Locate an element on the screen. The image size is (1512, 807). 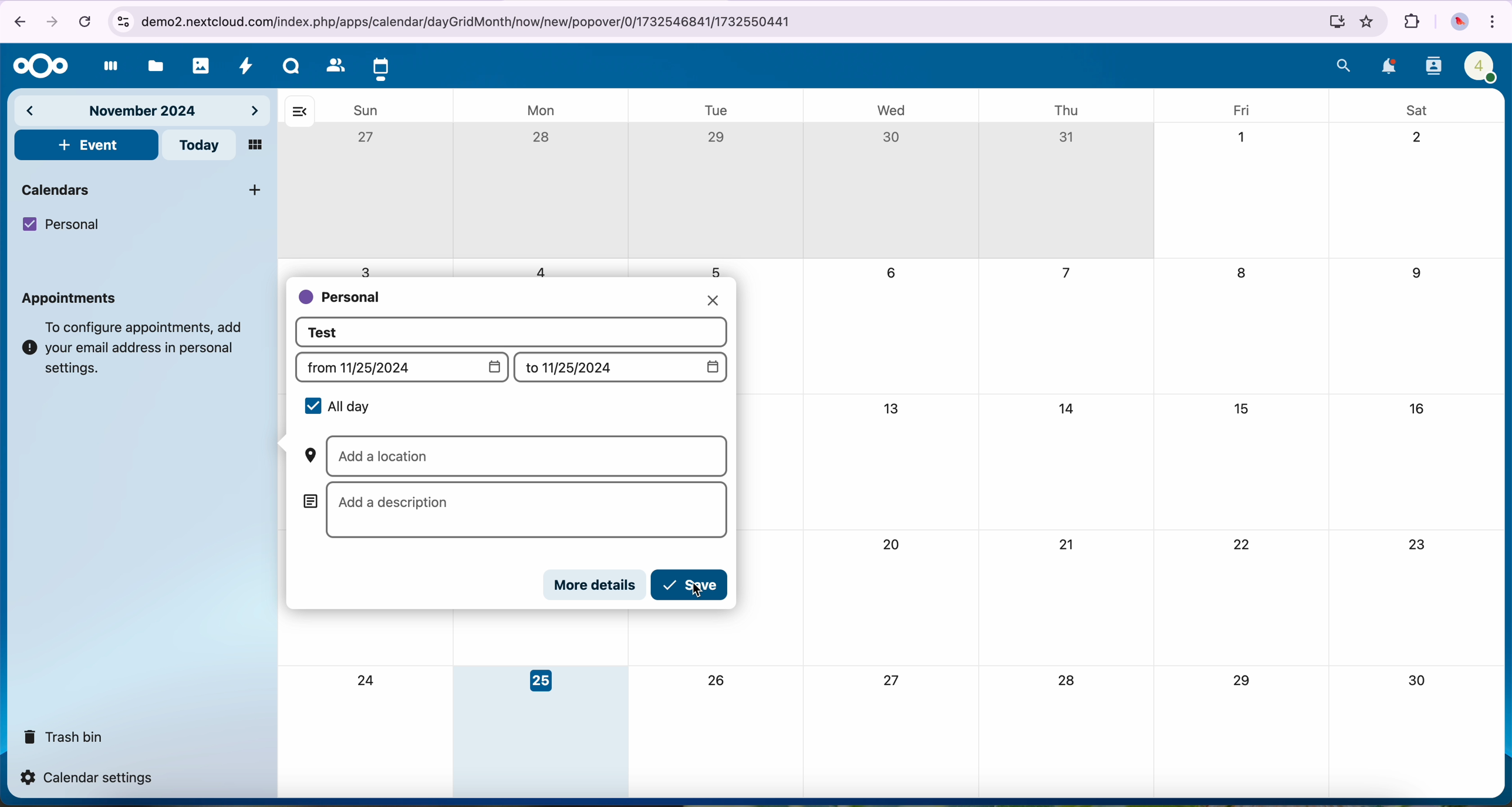
calendar settings is located at coordinates (90, 778).